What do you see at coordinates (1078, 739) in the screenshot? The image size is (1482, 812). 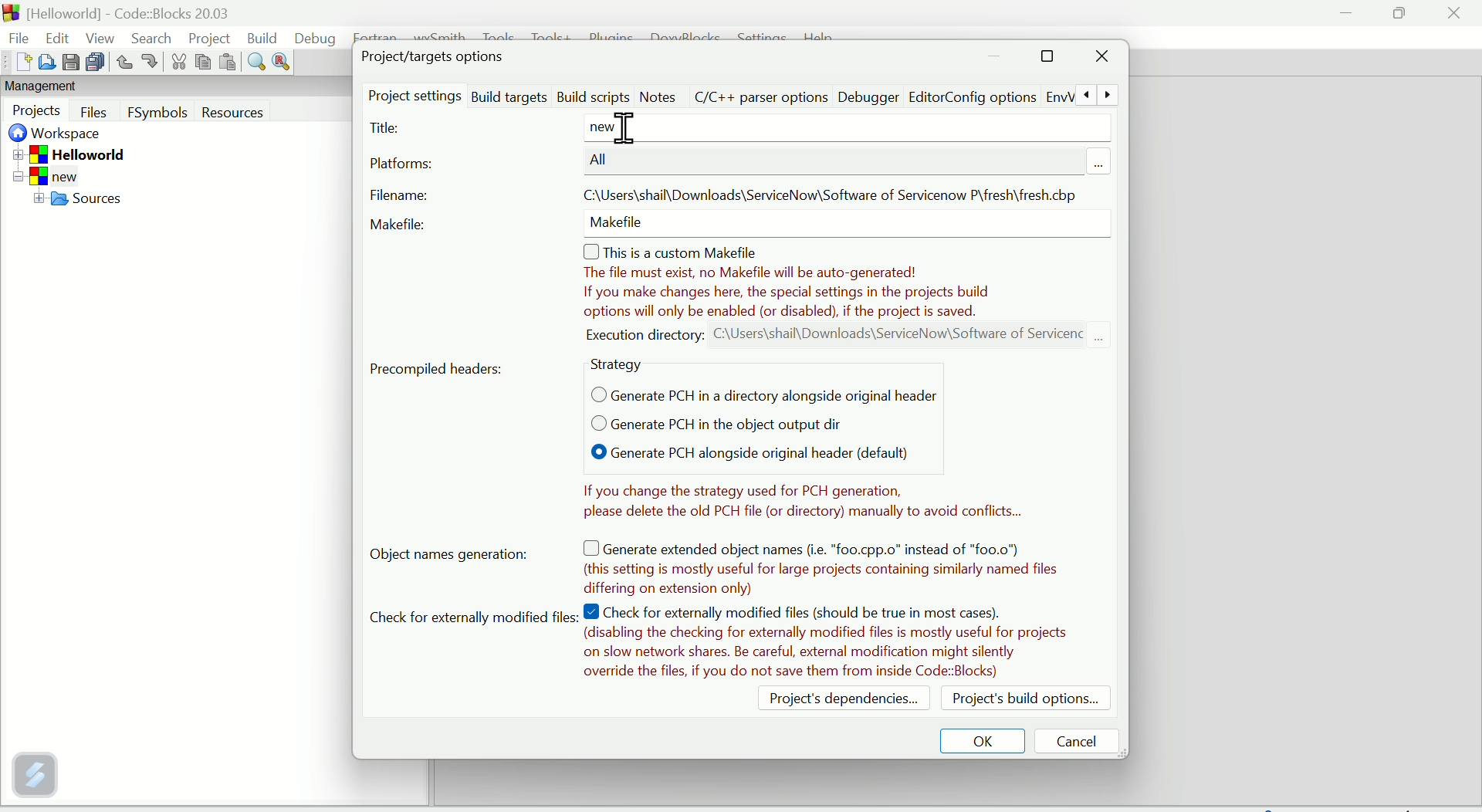 I see `Cancel` at bounding box center [1078, 739].